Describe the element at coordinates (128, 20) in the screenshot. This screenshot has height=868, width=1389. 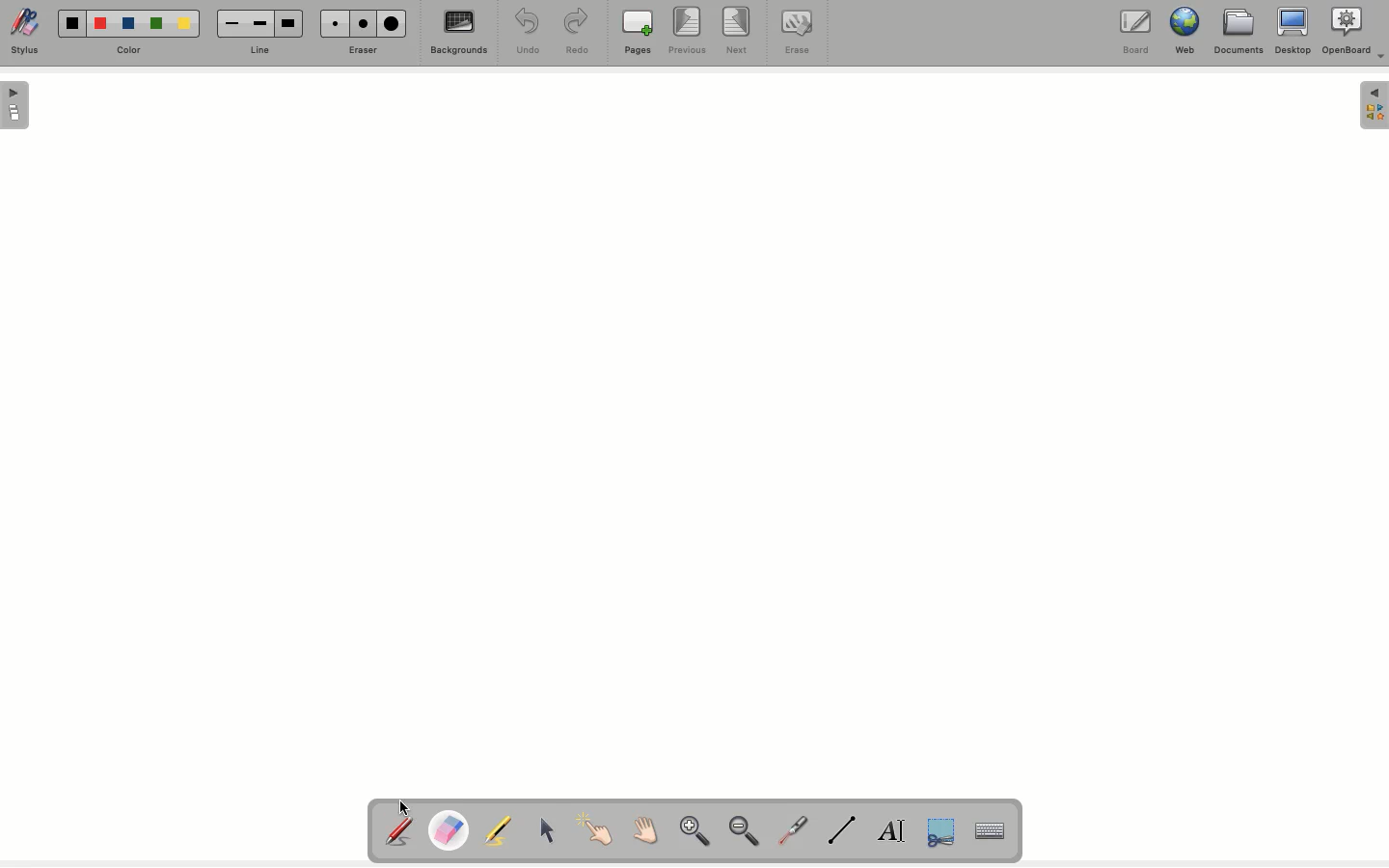
I see `Blue` at that location.